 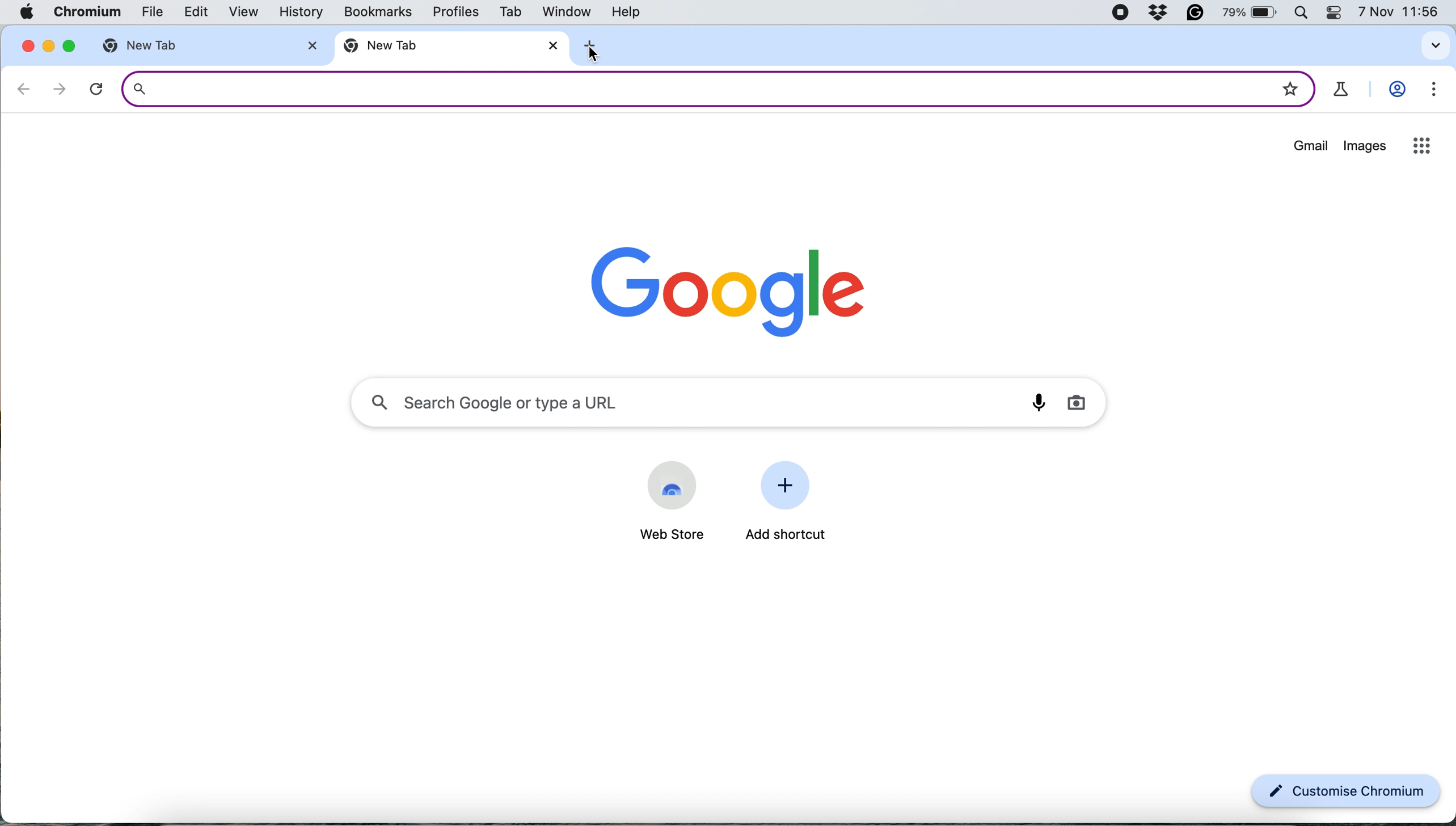 I want to click on minimise, so click(x=50, y=46).